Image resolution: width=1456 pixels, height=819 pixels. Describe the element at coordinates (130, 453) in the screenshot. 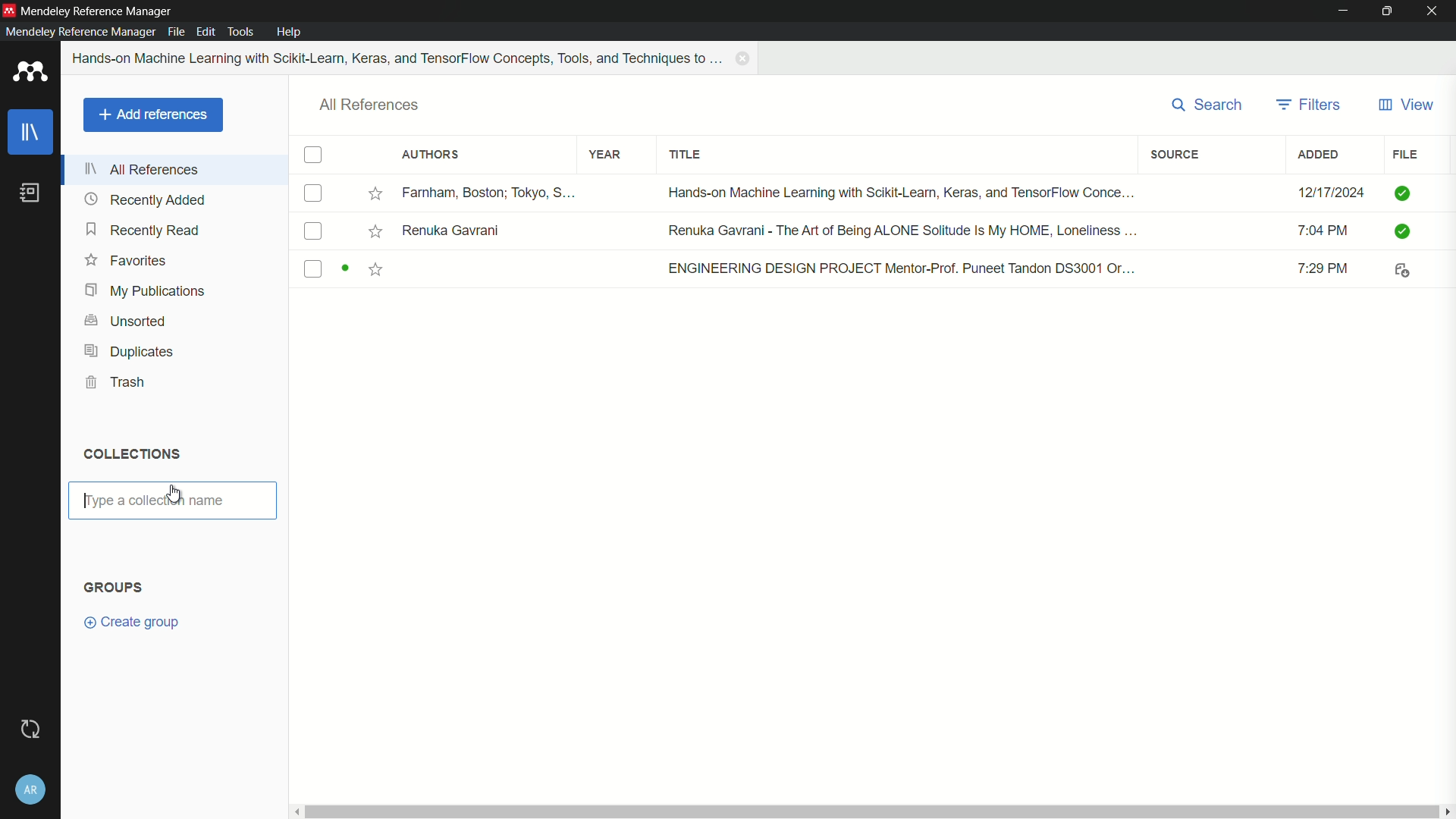

I see `collections` at that location.